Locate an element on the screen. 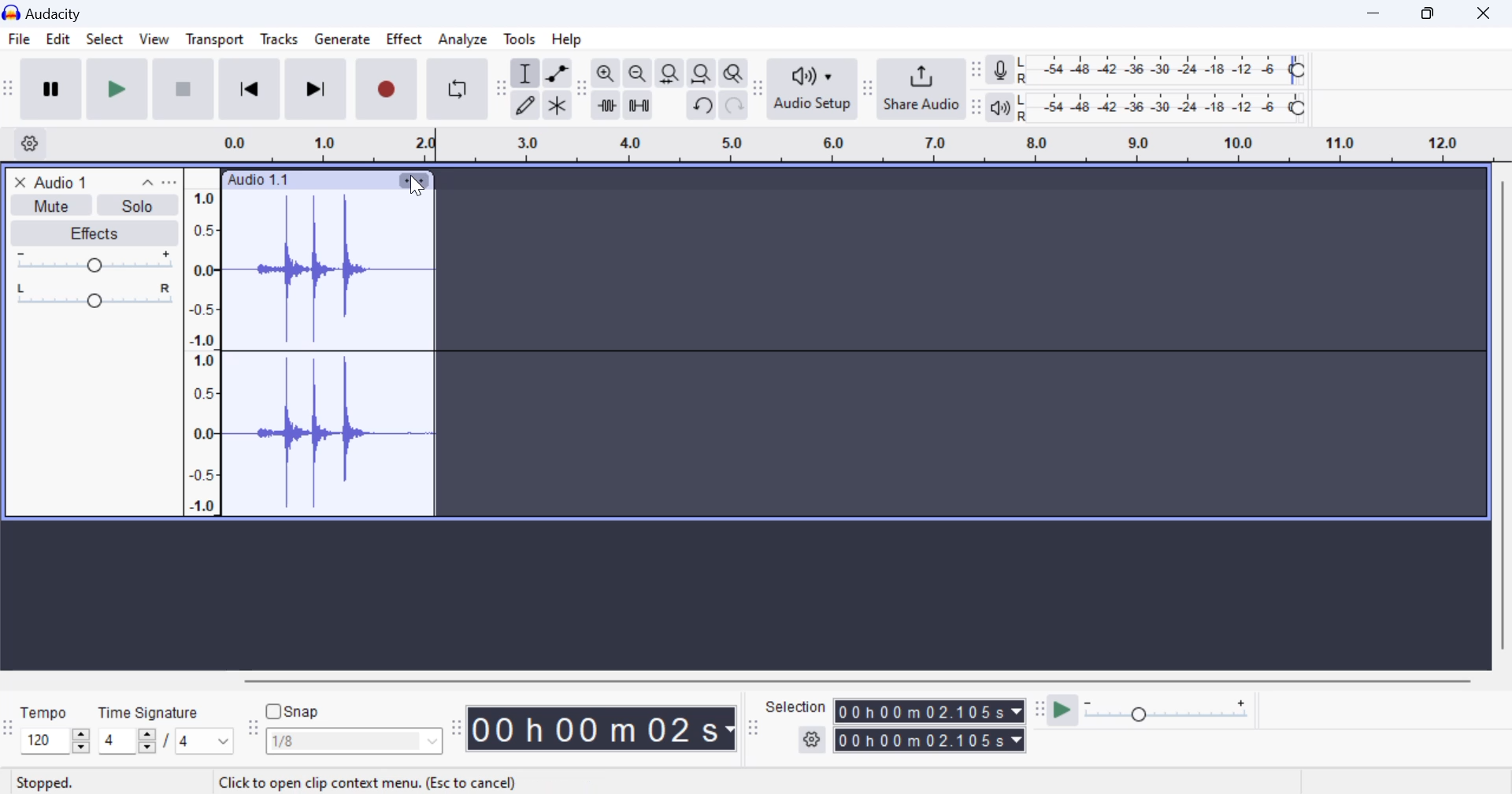 Image resolution: width=1512 pixels, height=794 pixels. Recording Level is located at coordinates (1162, 70).